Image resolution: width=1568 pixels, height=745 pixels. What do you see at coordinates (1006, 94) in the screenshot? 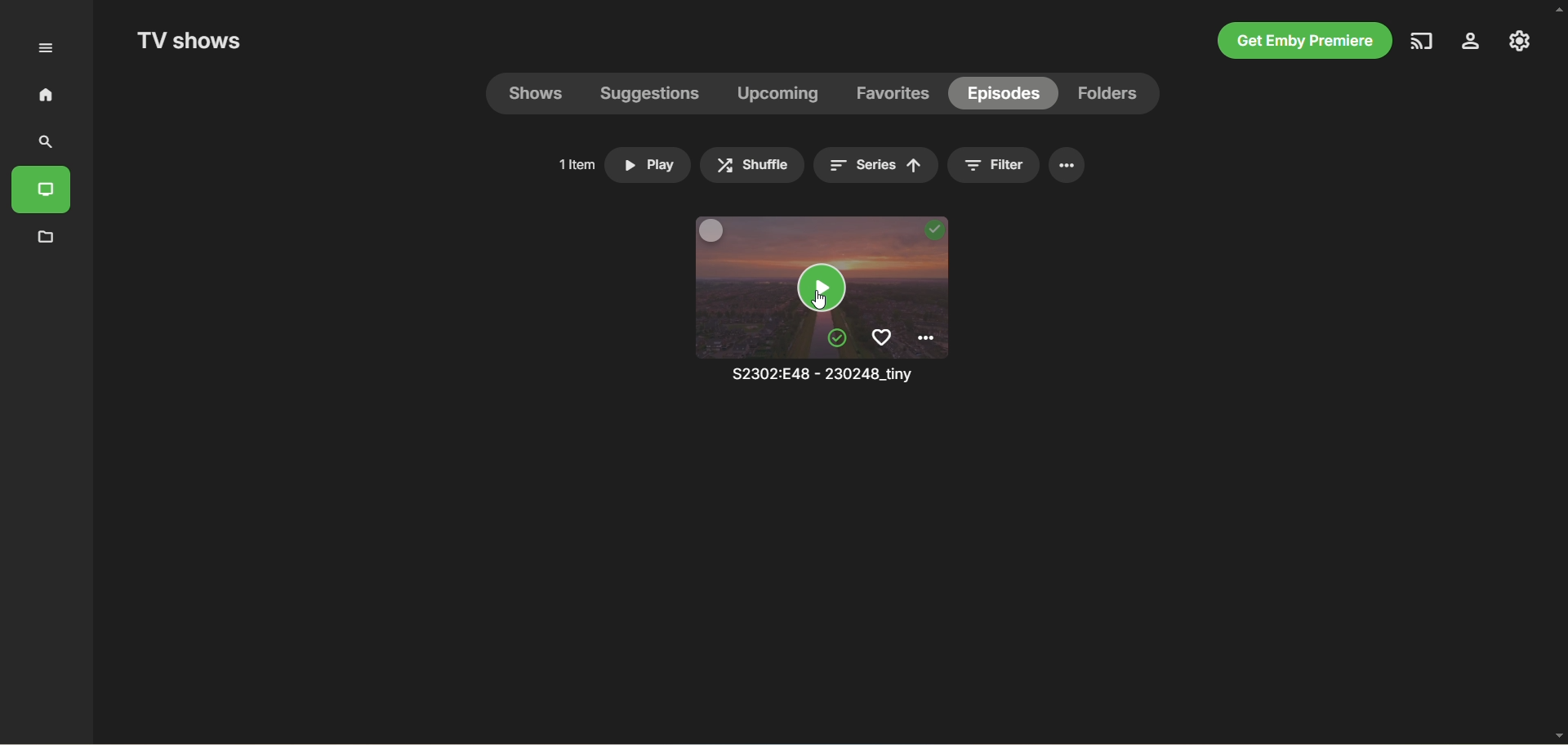
I see `episodes` at bounding box center [1006, 94].